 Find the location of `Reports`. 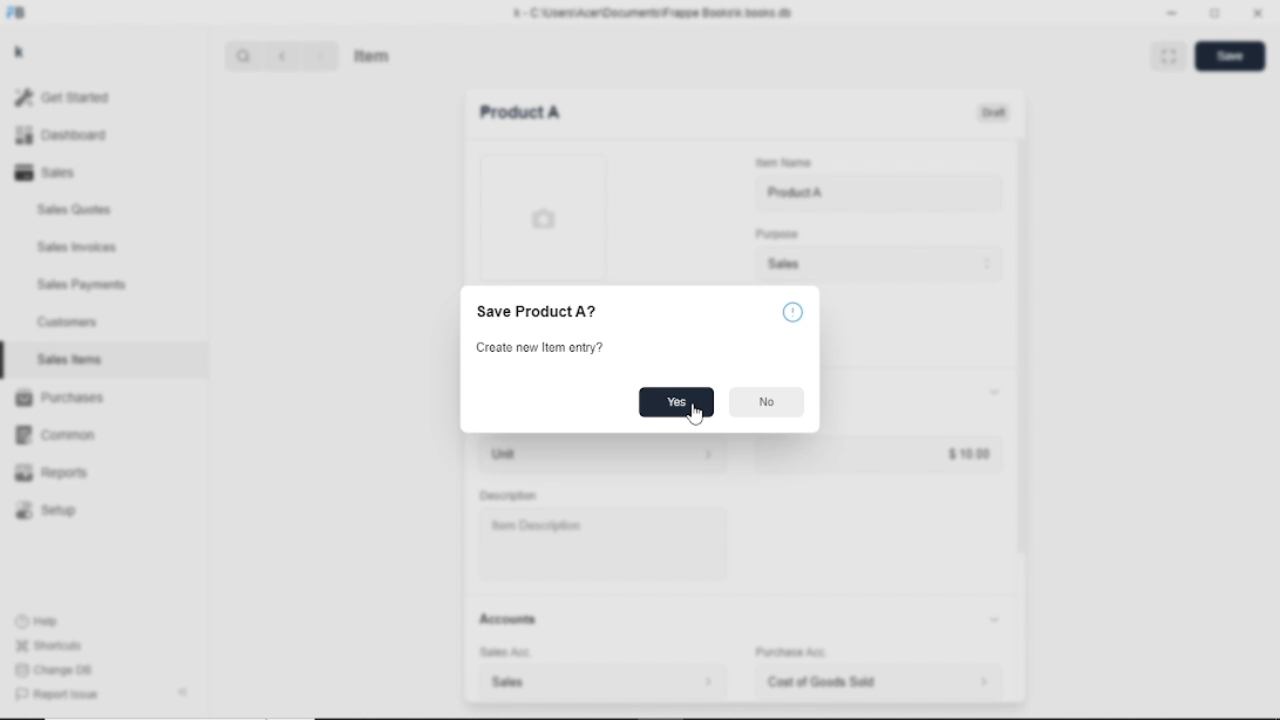

Reports is located at coordinates (52, 472).